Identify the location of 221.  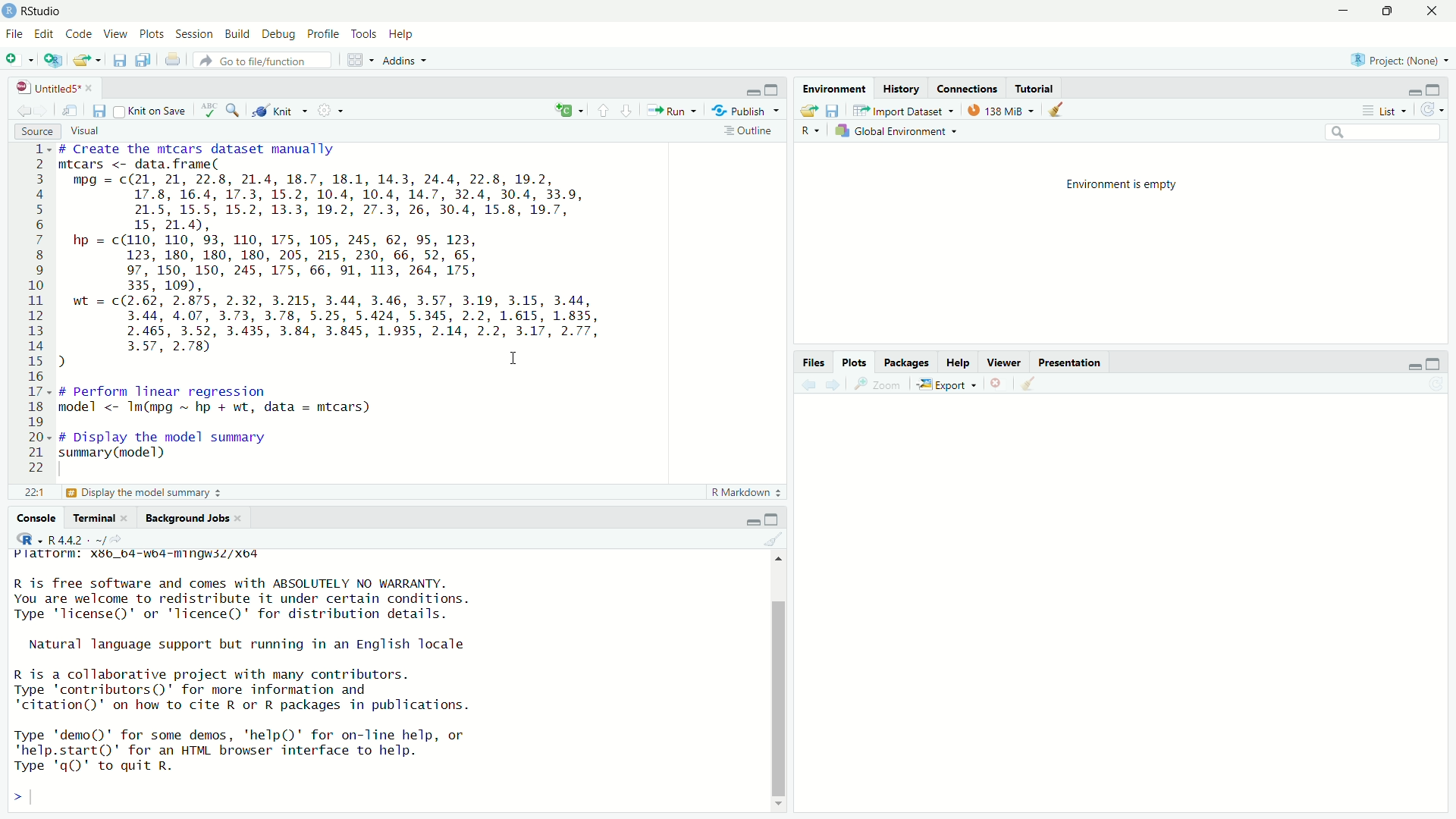
(33, 494).